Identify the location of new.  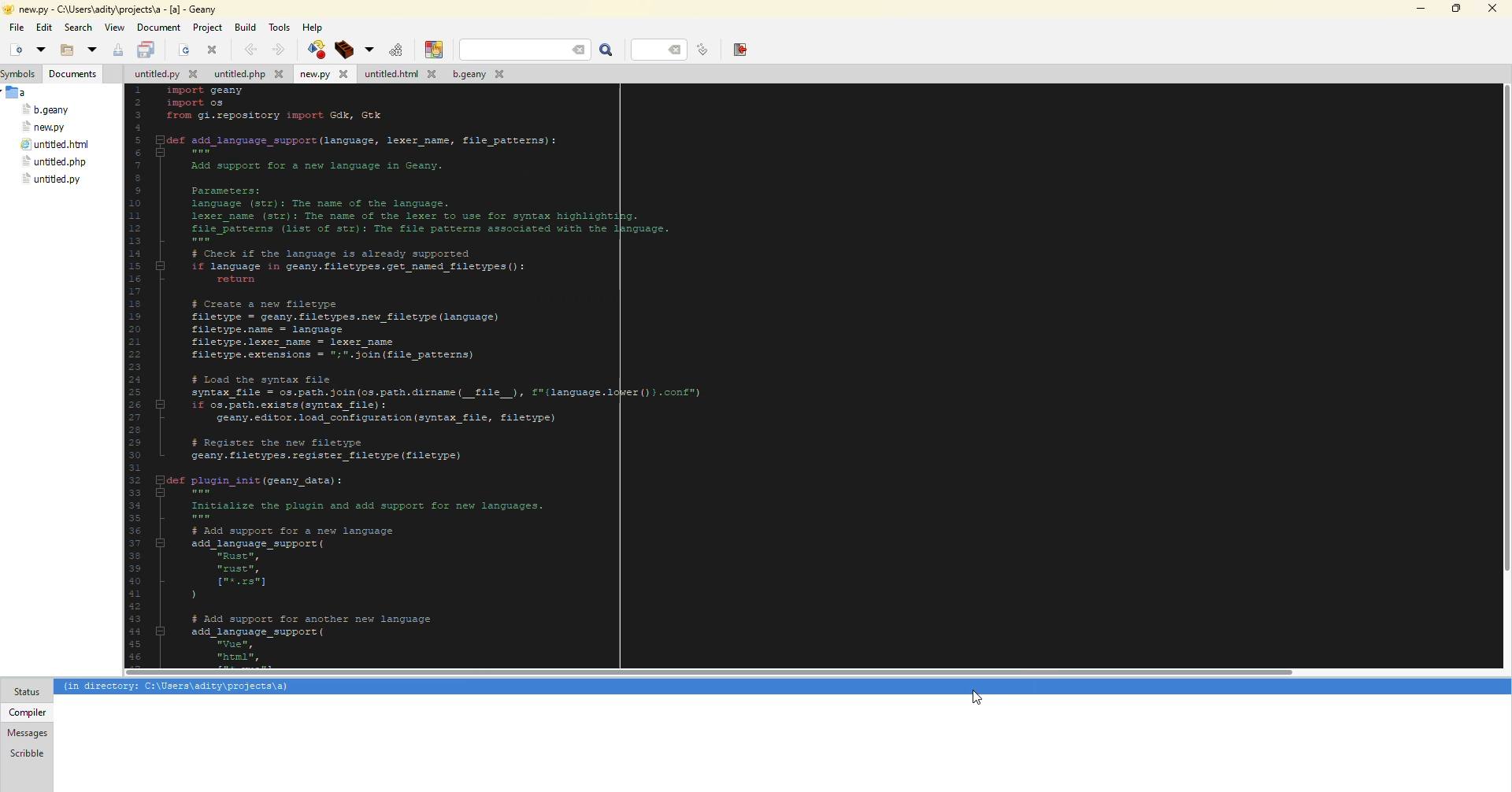
(14, 50).